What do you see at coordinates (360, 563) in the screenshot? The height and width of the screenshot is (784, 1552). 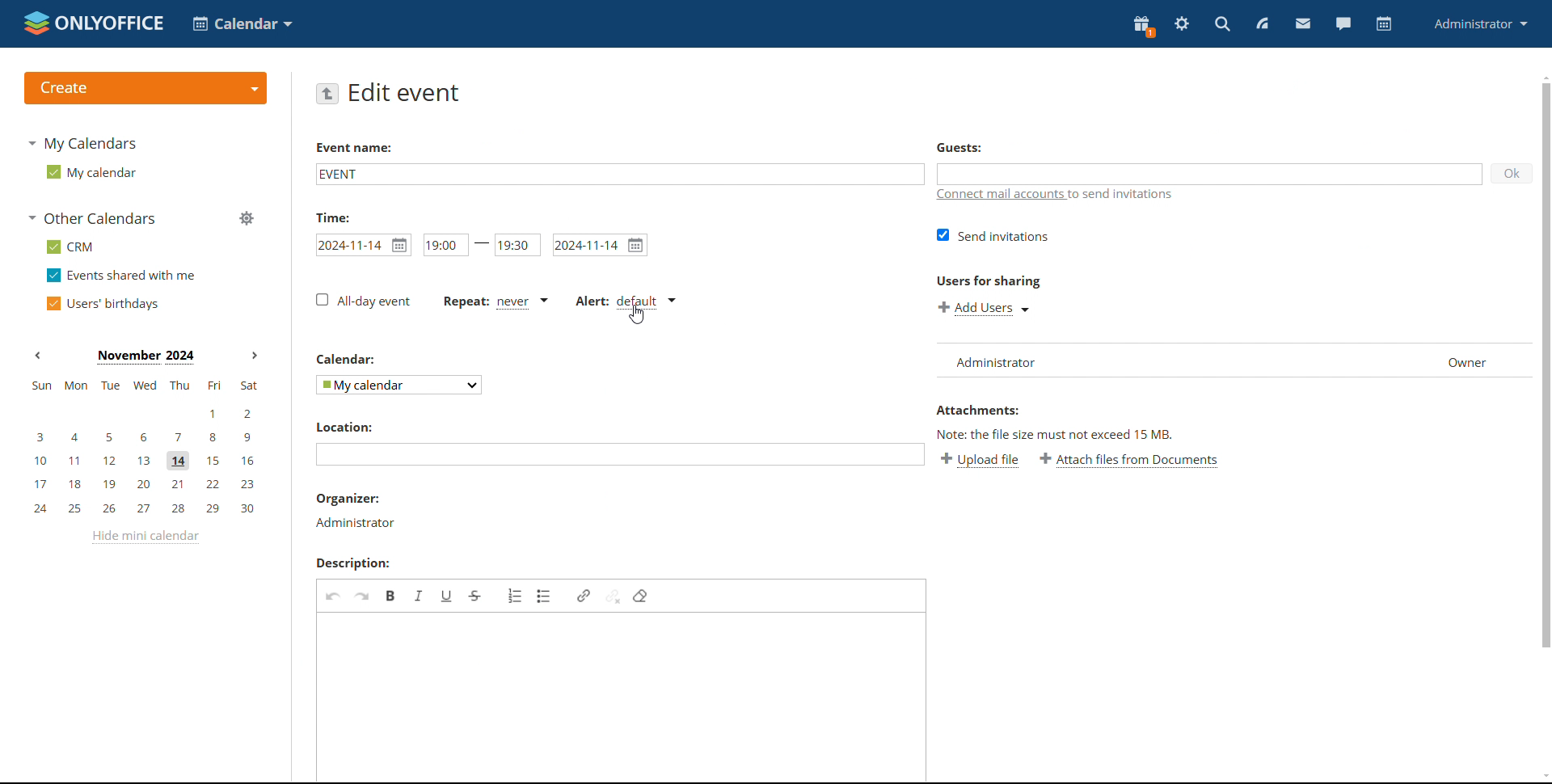 I see `description:` at bounding box center [360, 563].